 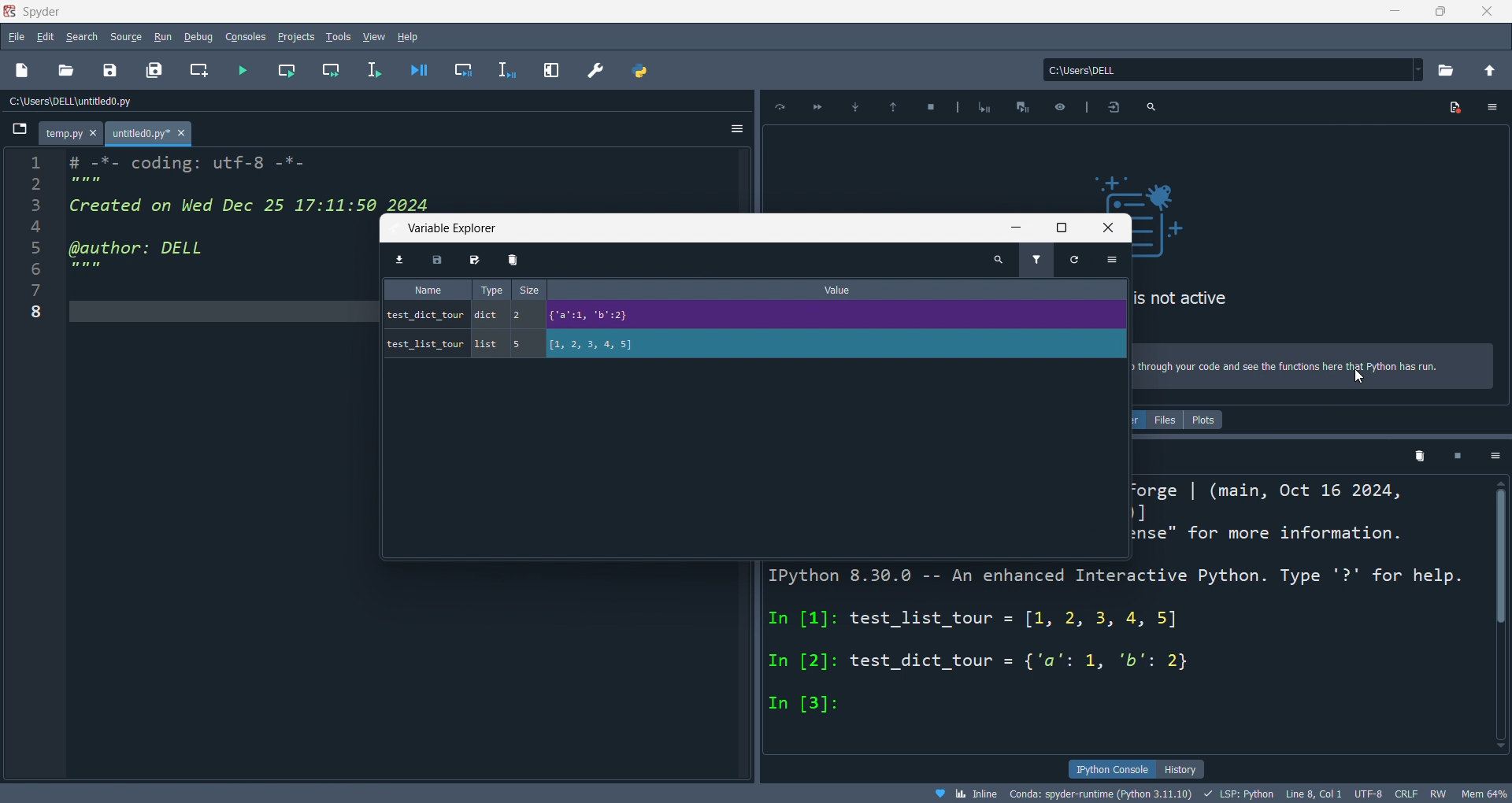 What do you see at coordinates (68, 68) in the screenshot?
I see `open file` at bounding box center [68, 68].